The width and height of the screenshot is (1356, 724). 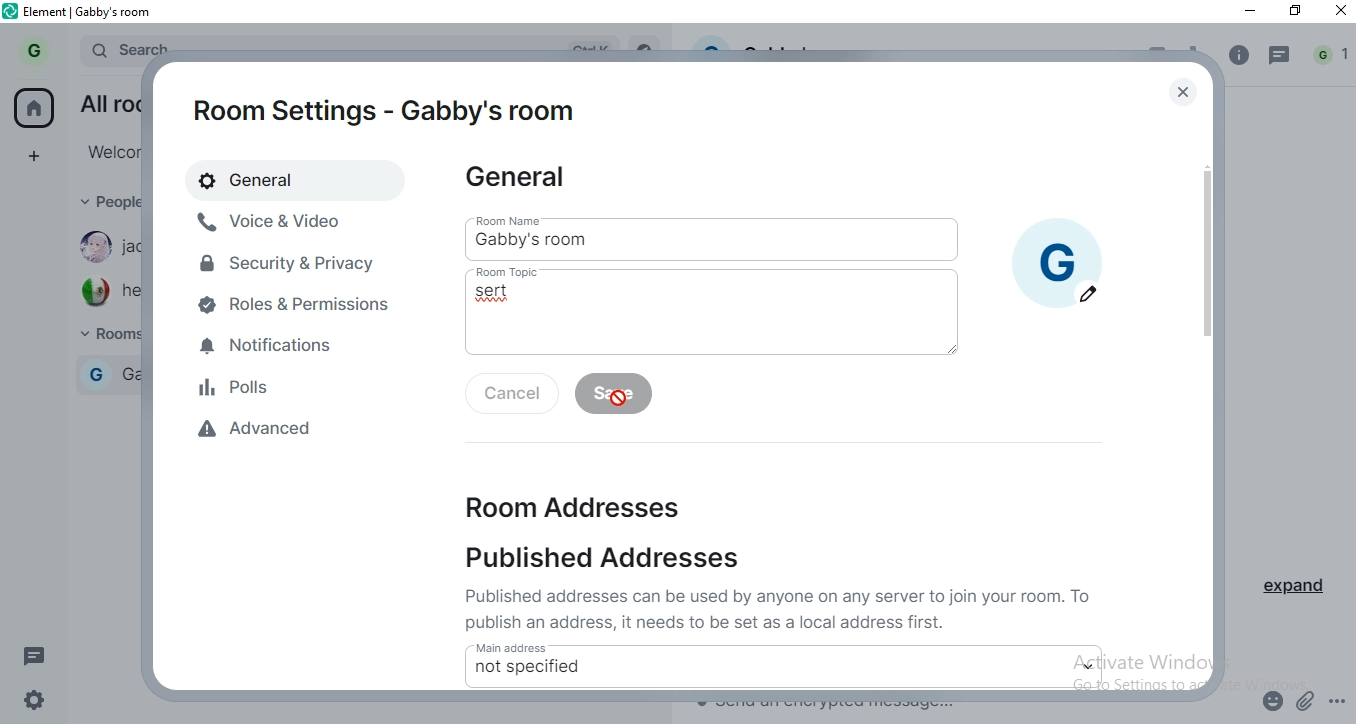 I want to click on close, so click(x=1337, y=15).